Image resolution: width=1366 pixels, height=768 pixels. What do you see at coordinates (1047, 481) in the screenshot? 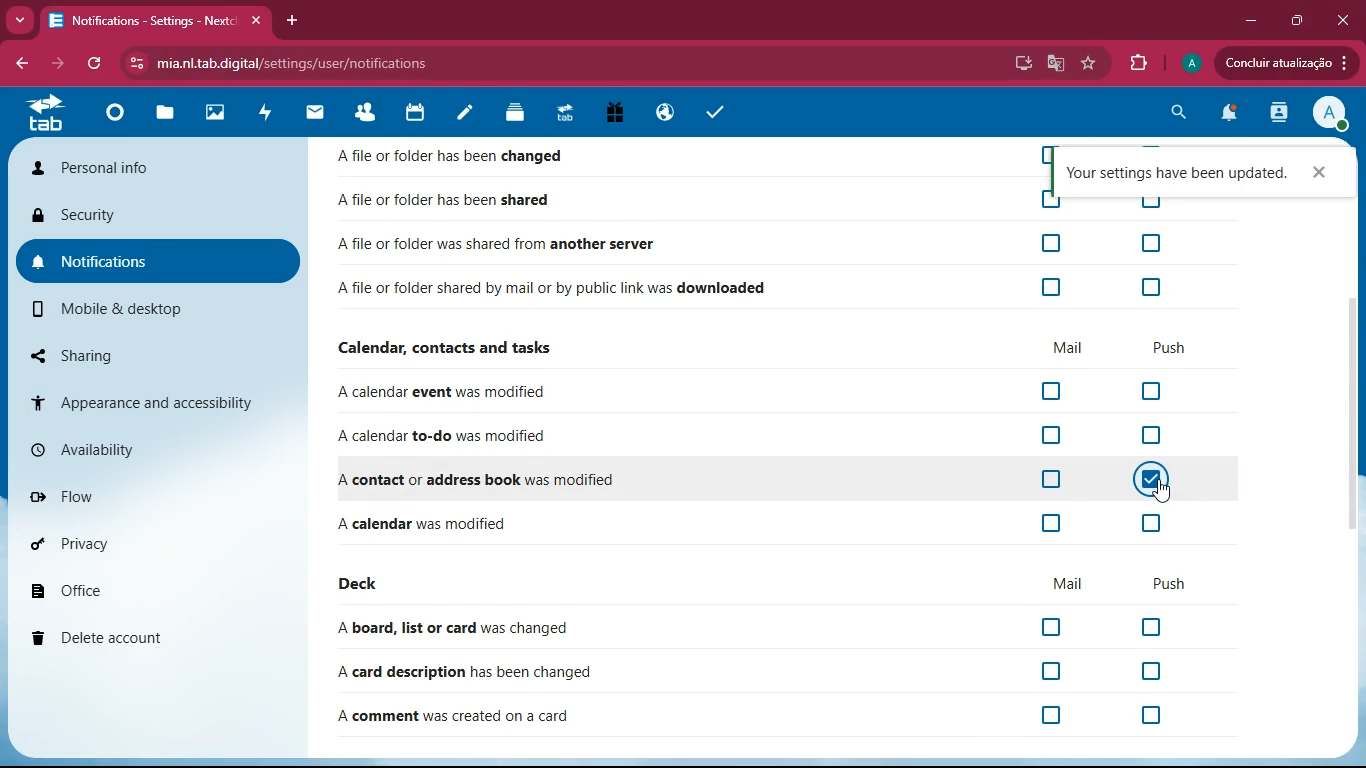
I see `off` at bounding box center [1047, 481].